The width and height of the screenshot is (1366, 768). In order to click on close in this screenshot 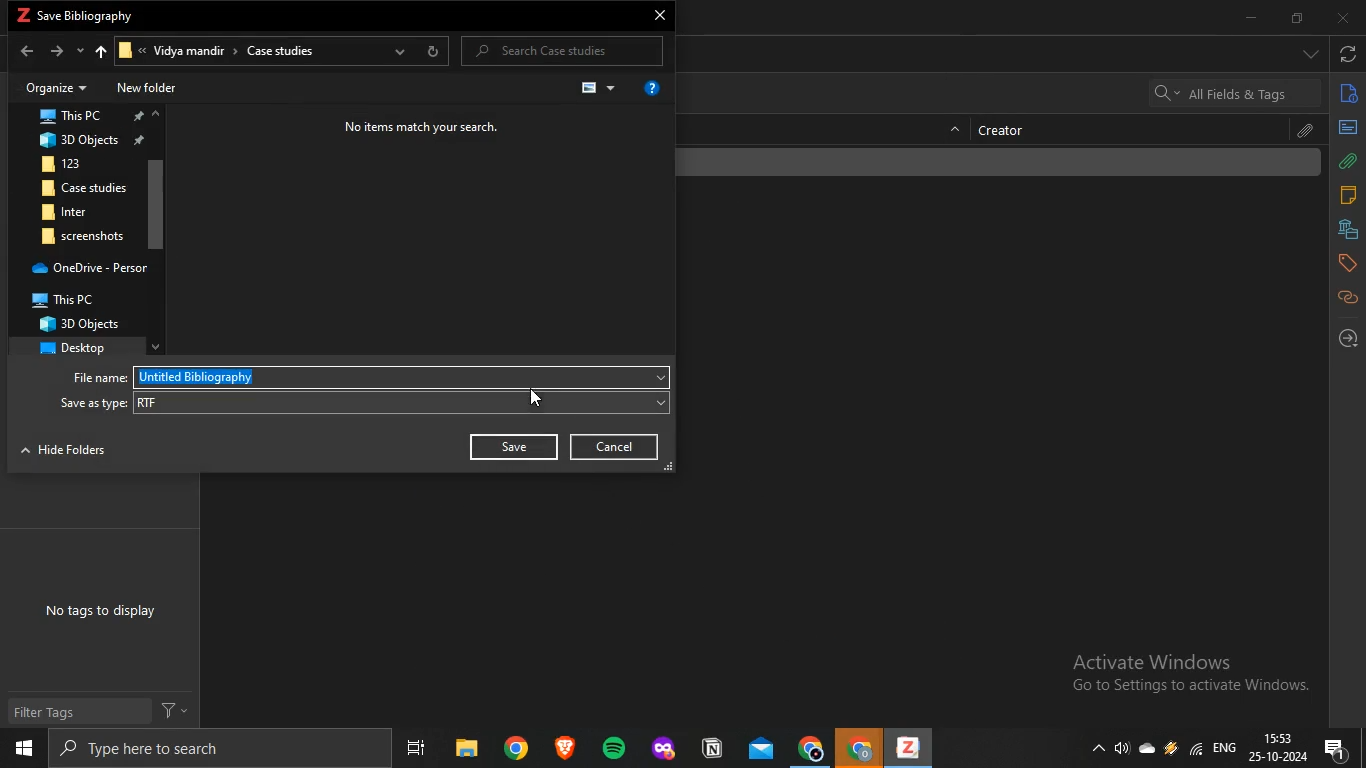, I will do `click(661, 16)`.